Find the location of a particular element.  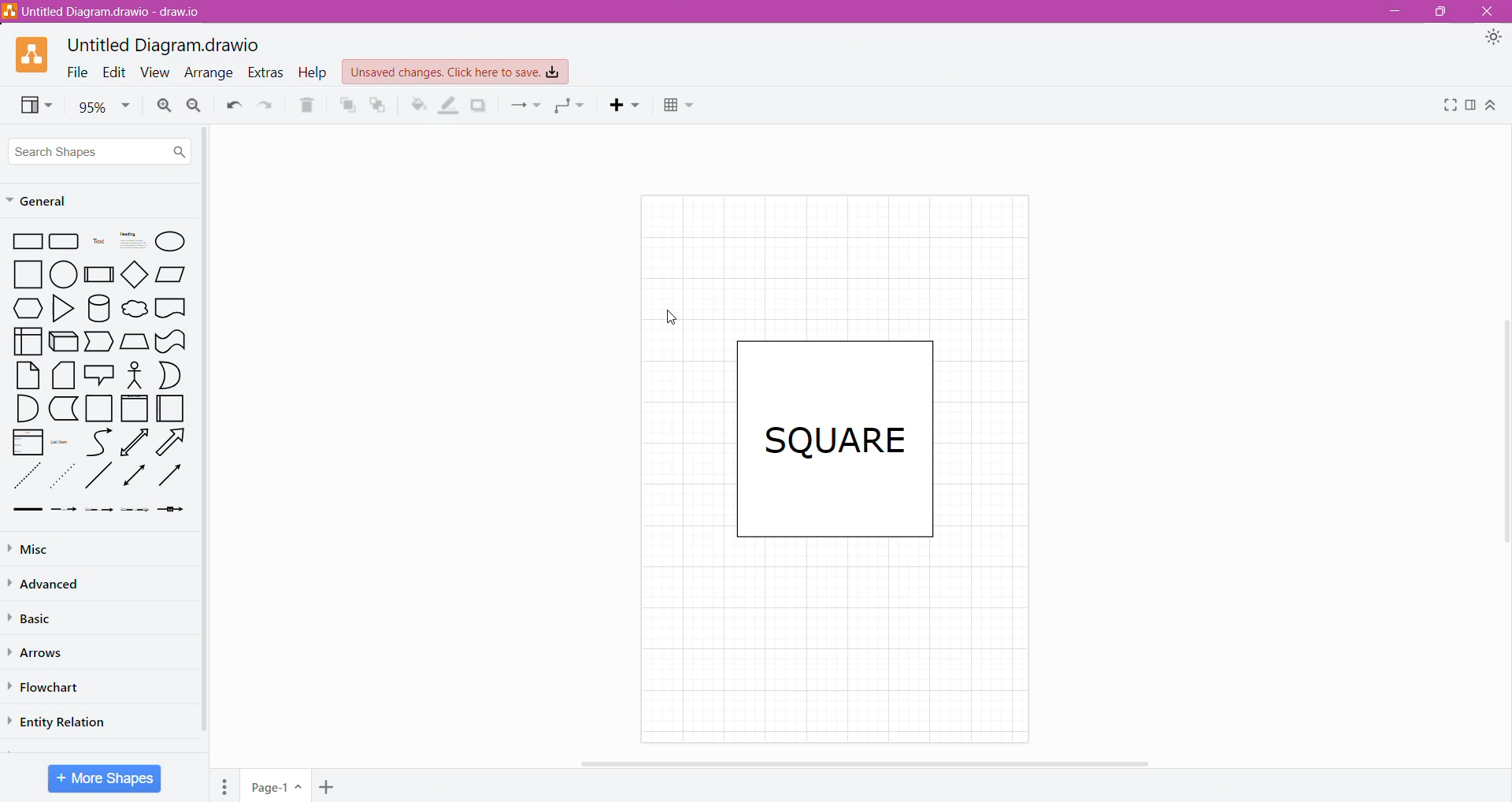

3D Rectangle  is located at coordinates (63, 343).